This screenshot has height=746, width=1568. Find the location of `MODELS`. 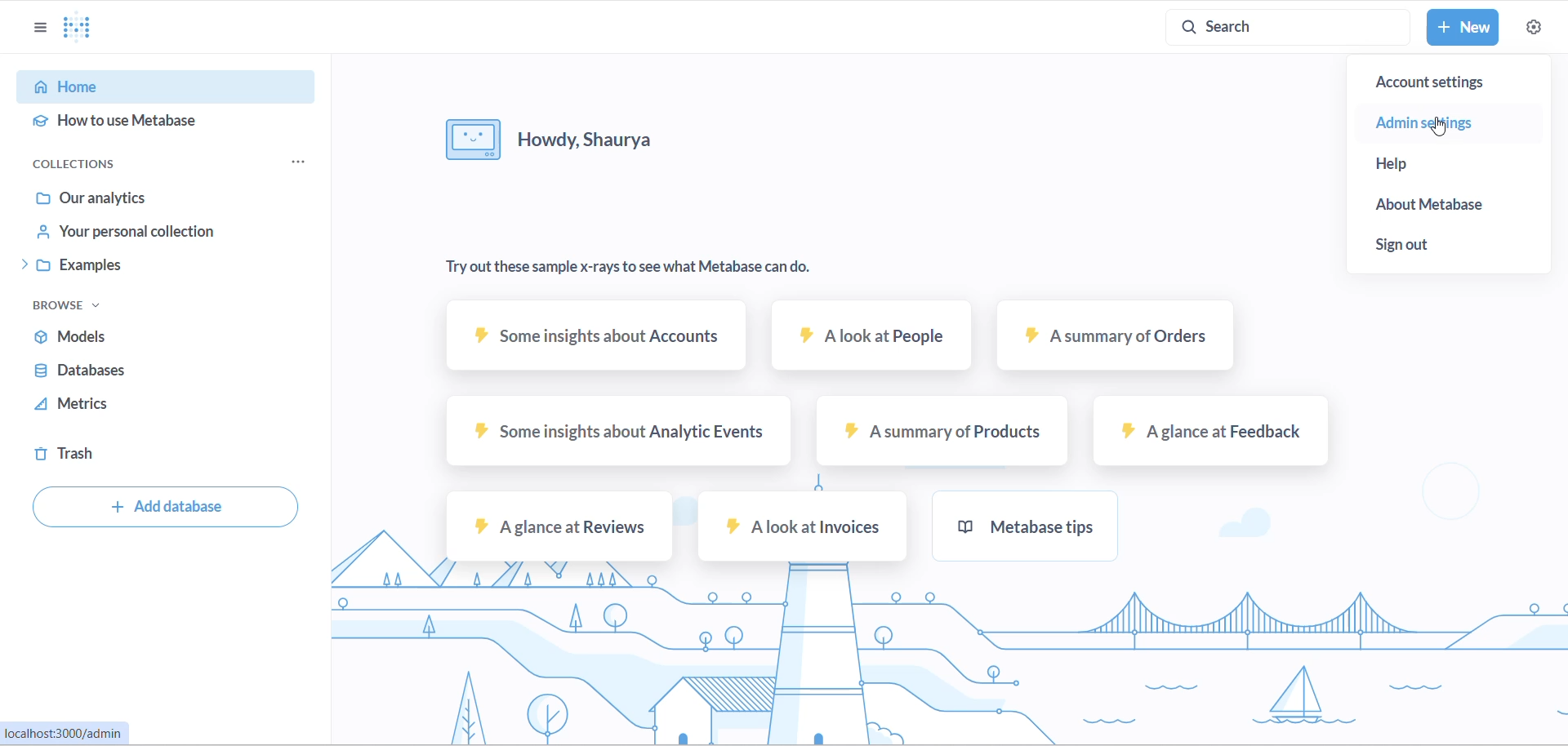

MODELS is located at coordinates (125, 340).